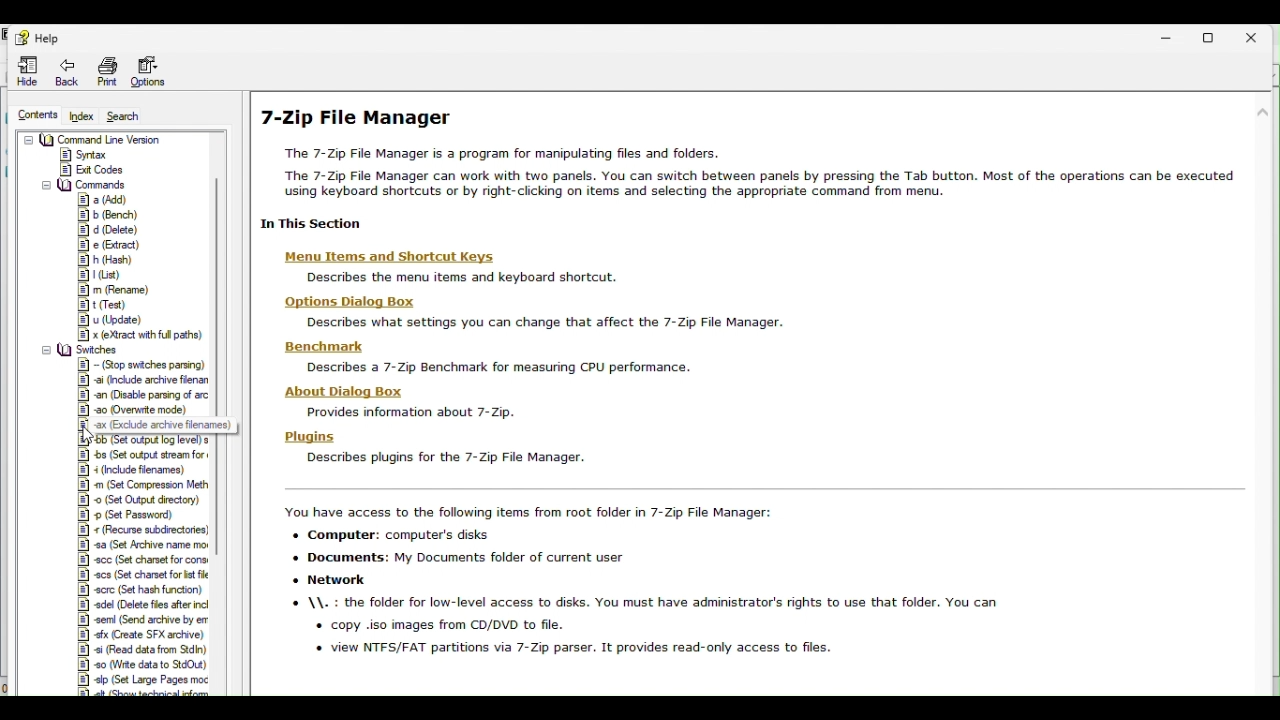 The image size is (1280, 720). Describe the element at coordinates (143, 364) in the screenshot. I see `#] - (Stop switches parsing)` at that location.